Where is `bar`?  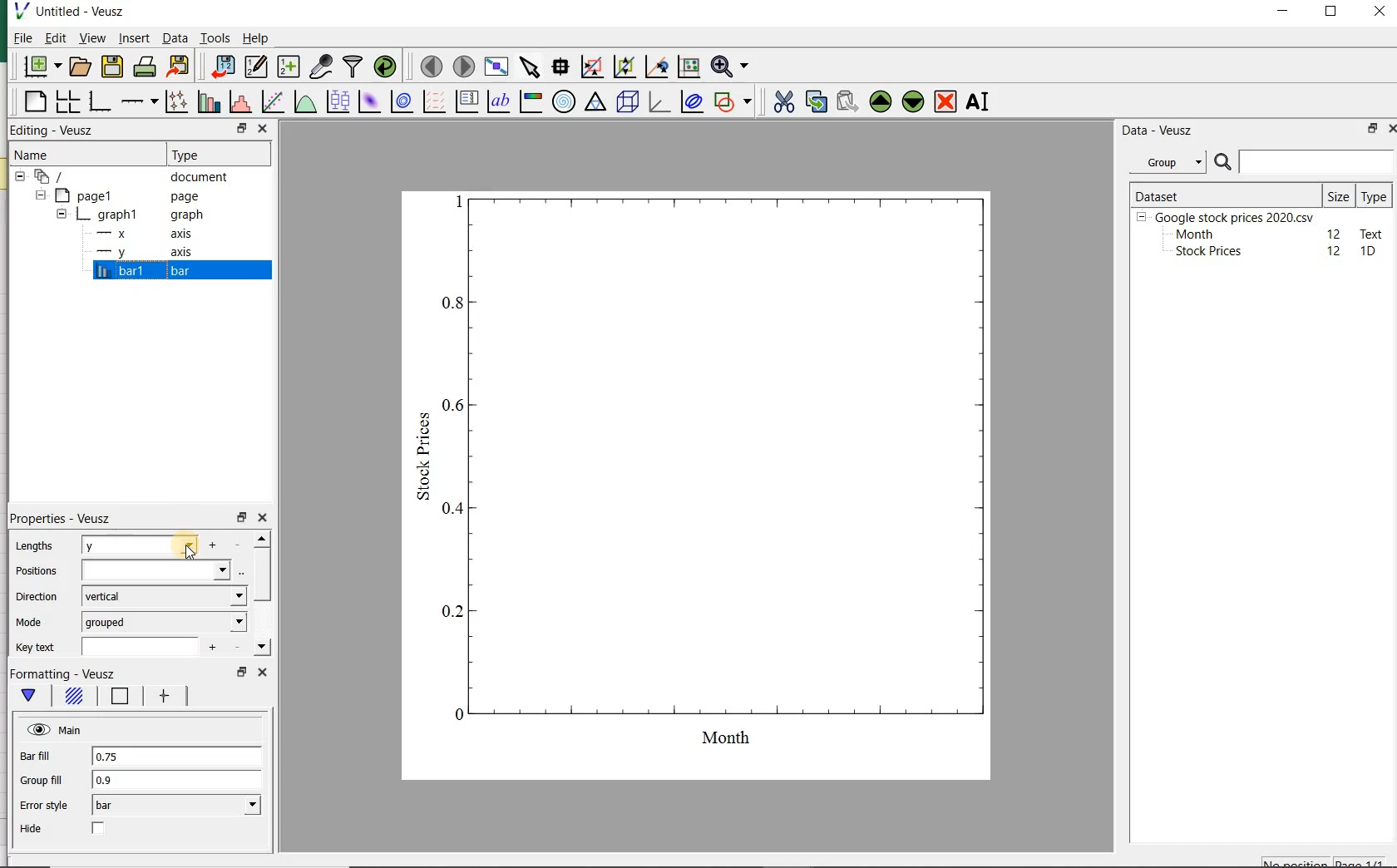 bar is located at coordinates (175, 806).